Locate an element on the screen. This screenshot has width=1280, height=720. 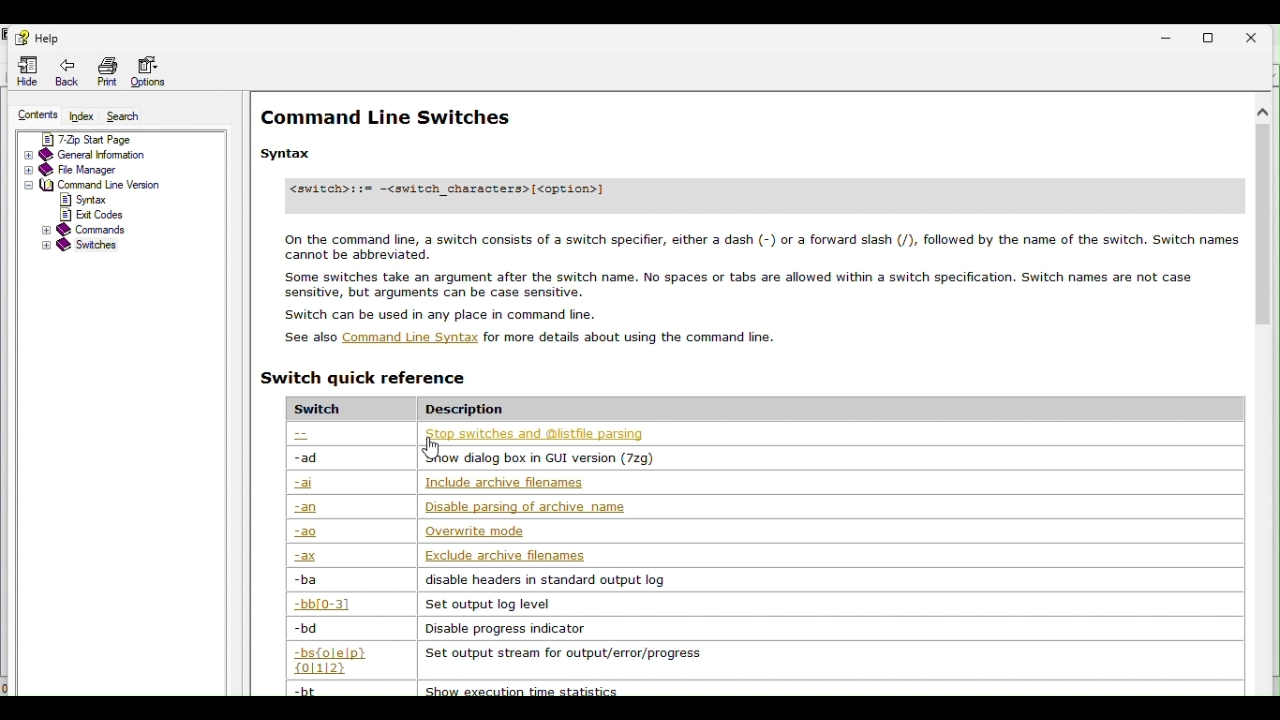
| Exclude archive filenames is located at coordinates (503, 556).